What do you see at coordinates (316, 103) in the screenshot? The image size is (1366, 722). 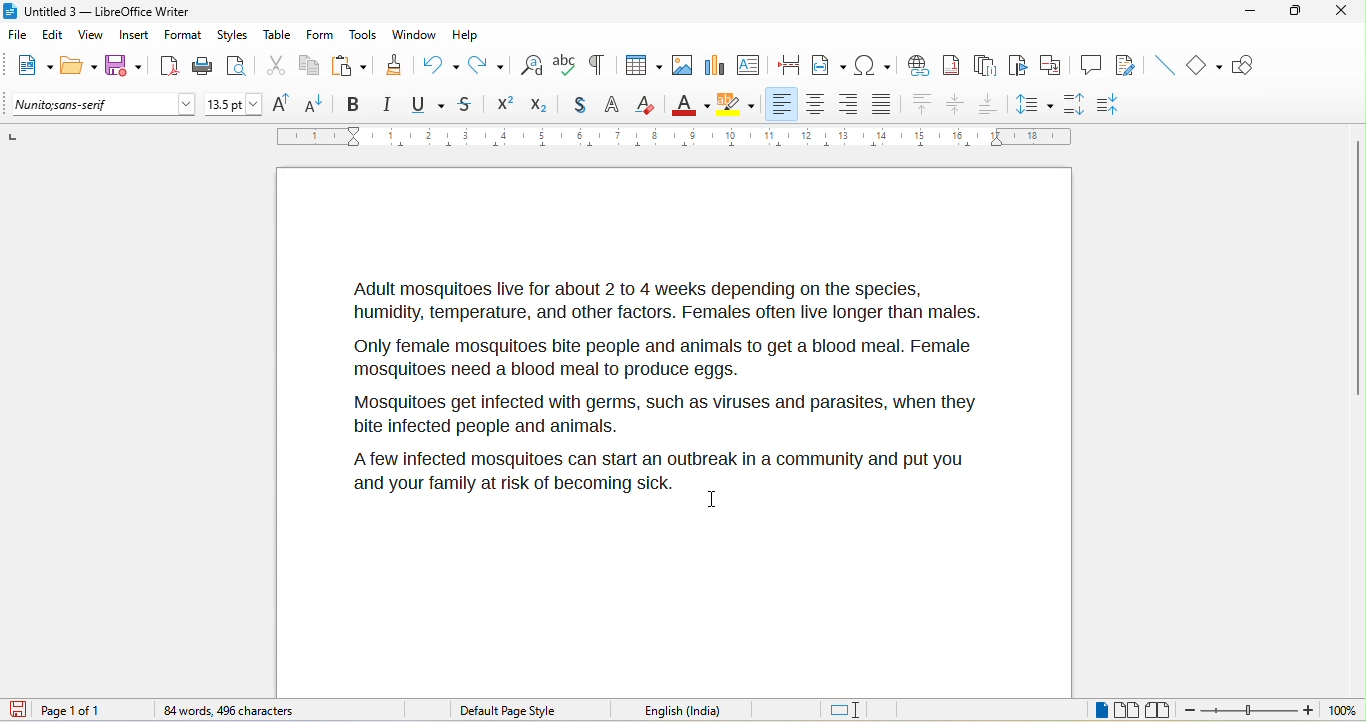 I see `decrease size` at bounding box center [316, 103].